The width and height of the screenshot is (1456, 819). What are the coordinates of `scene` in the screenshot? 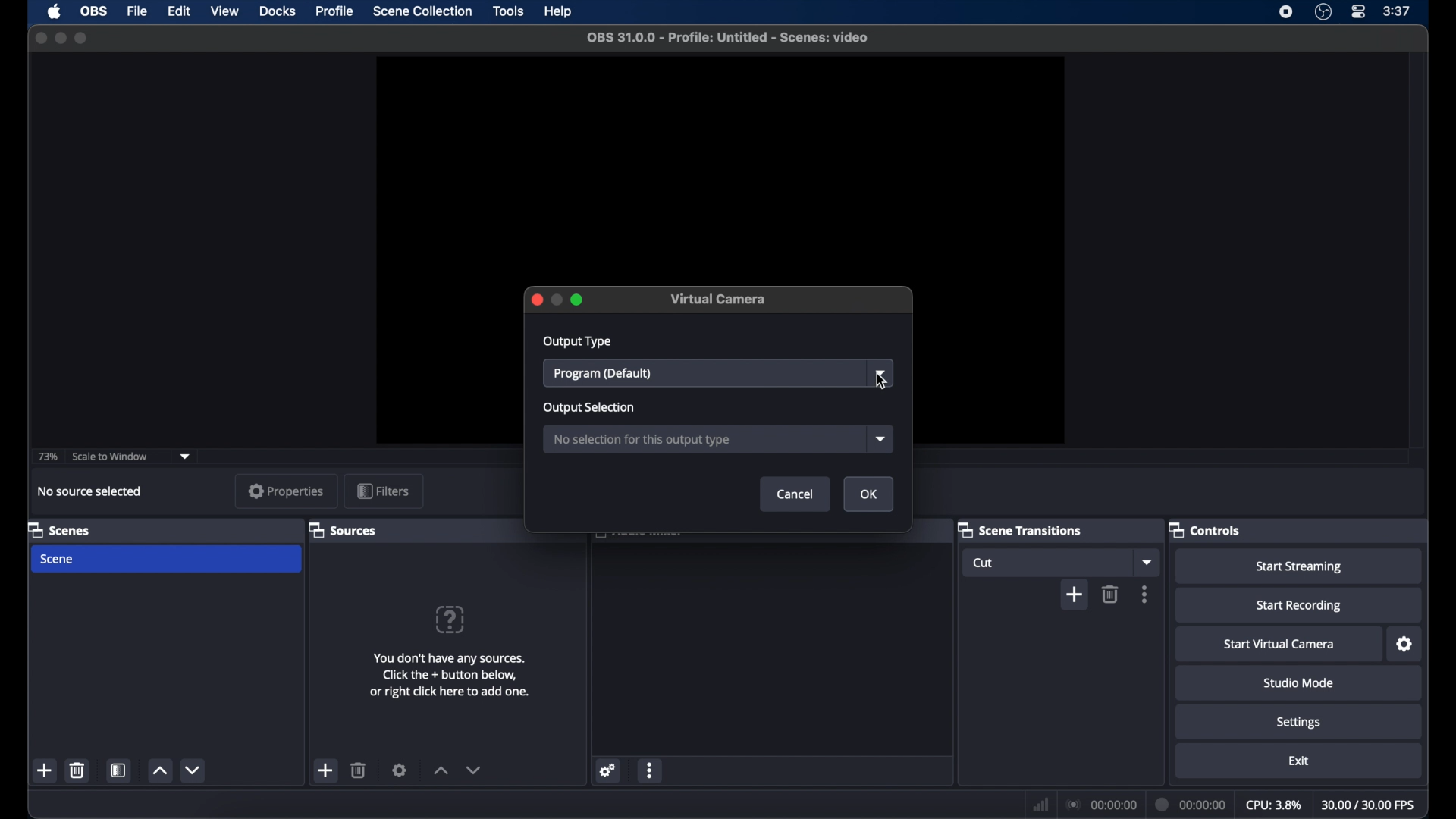 It's located at (58, 560).